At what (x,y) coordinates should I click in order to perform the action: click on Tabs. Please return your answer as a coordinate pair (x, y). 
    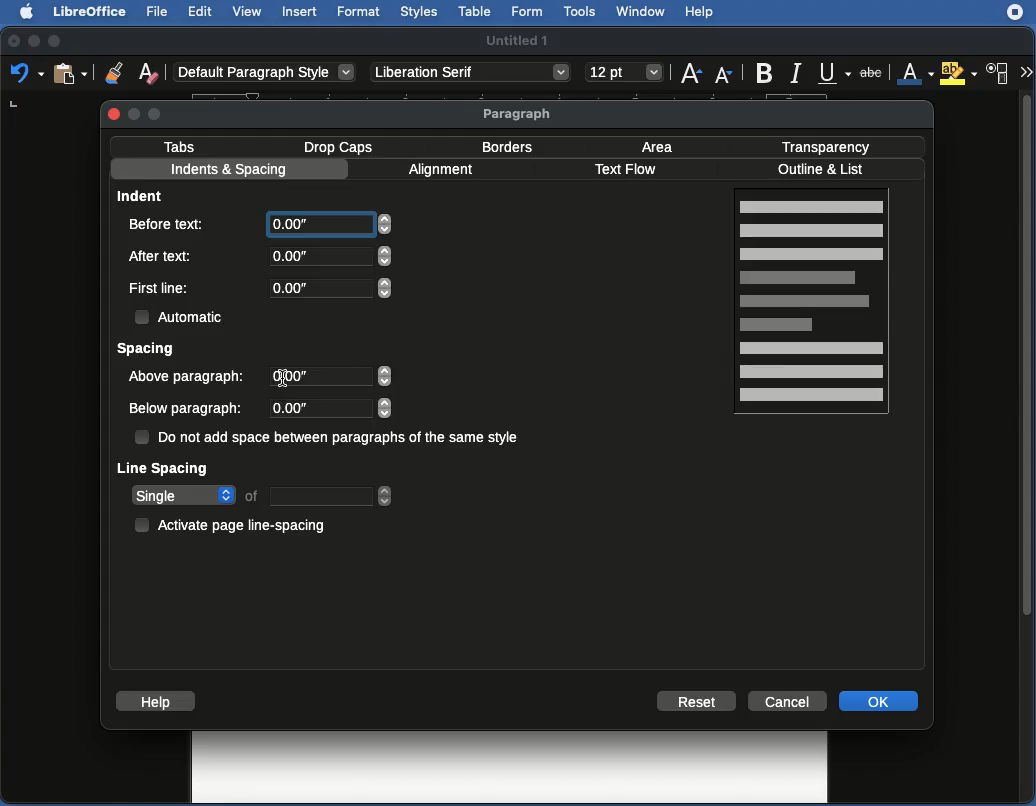
    Looking at the image, I should click on (180, 146).